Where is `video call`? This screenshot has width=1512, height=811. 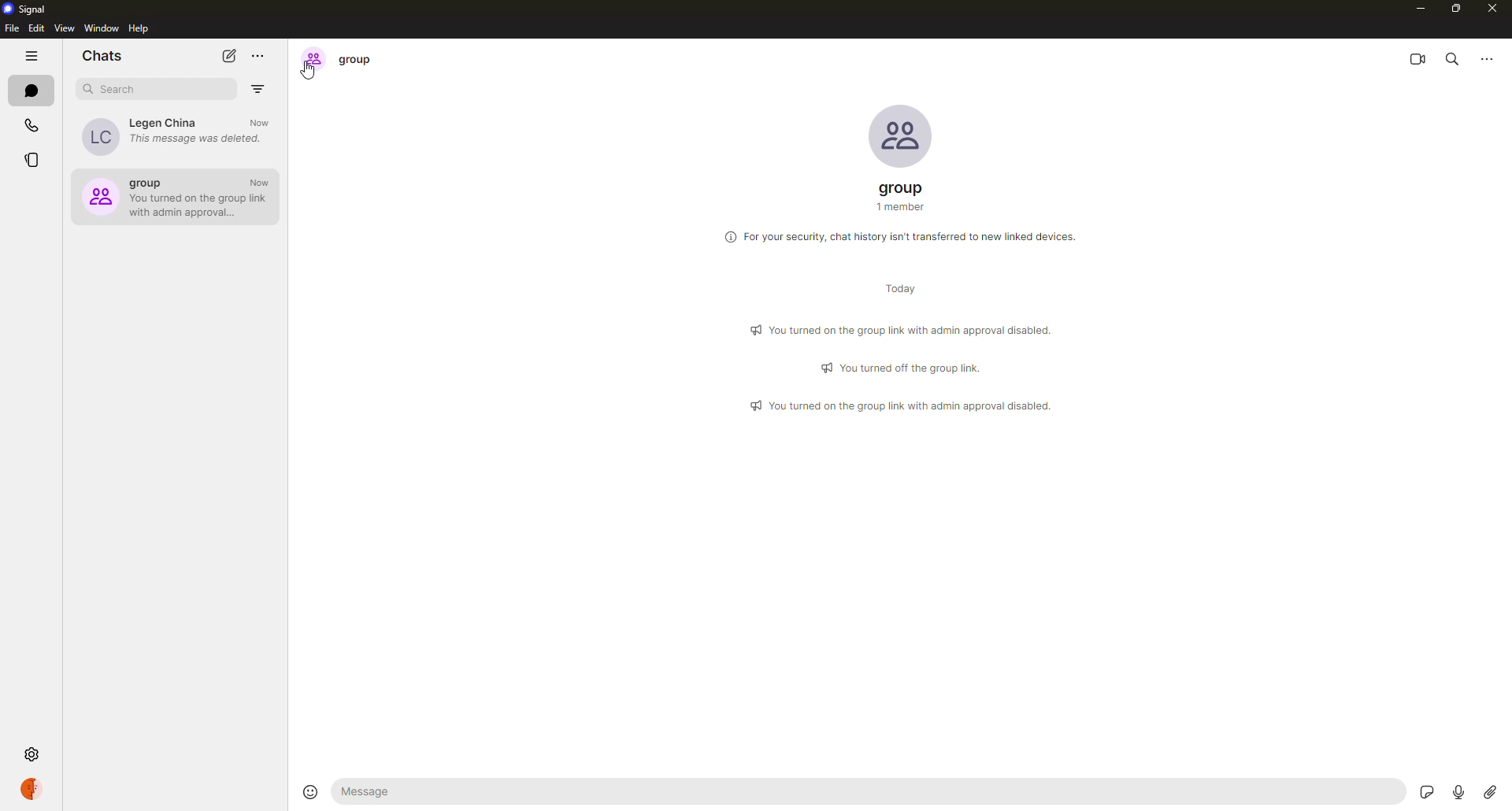
video call is located at coordinates (1416, 60).